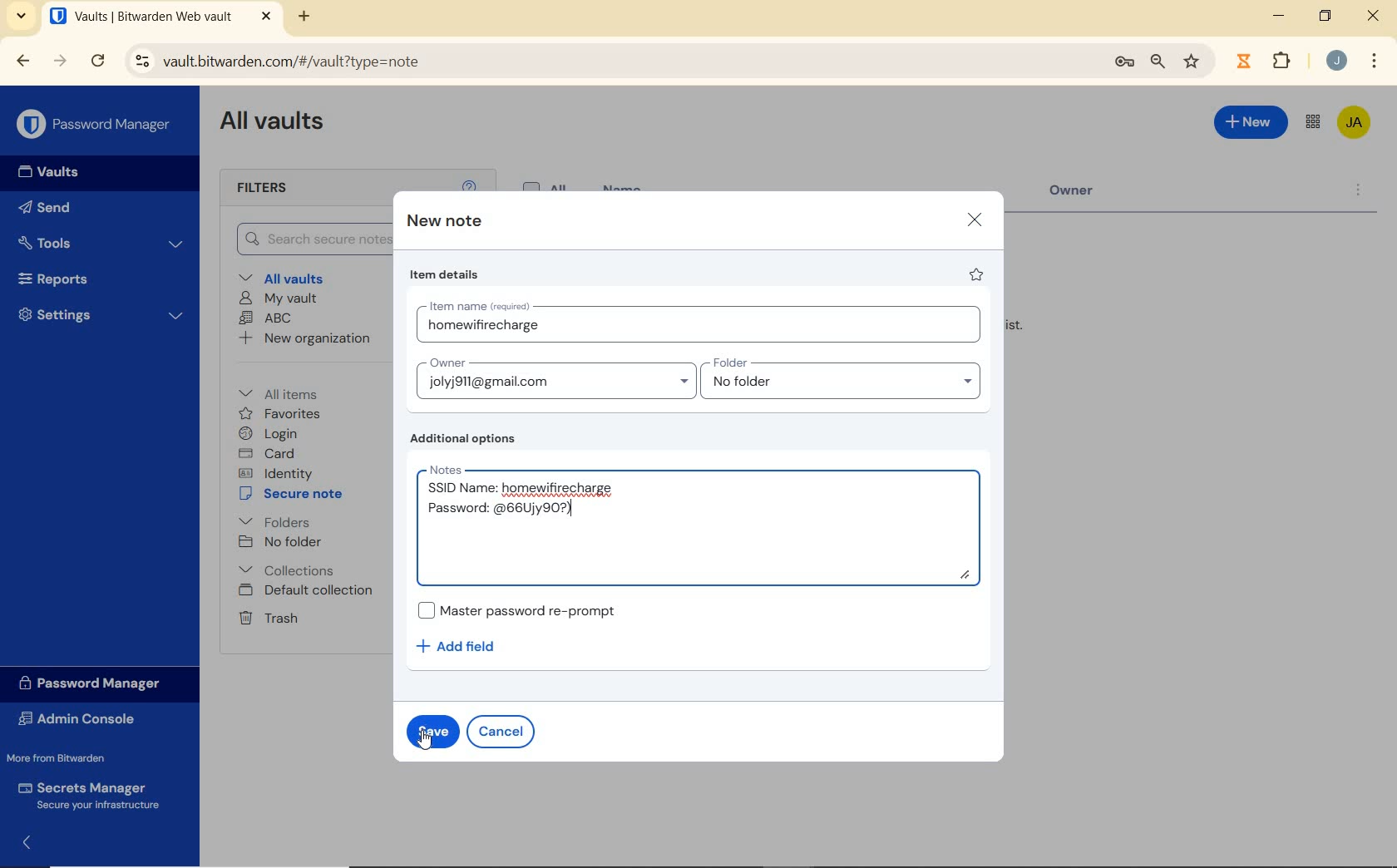 The width and height of the screenshot is (1397, 868). I want to click on Password Manager, so click(97, 684).